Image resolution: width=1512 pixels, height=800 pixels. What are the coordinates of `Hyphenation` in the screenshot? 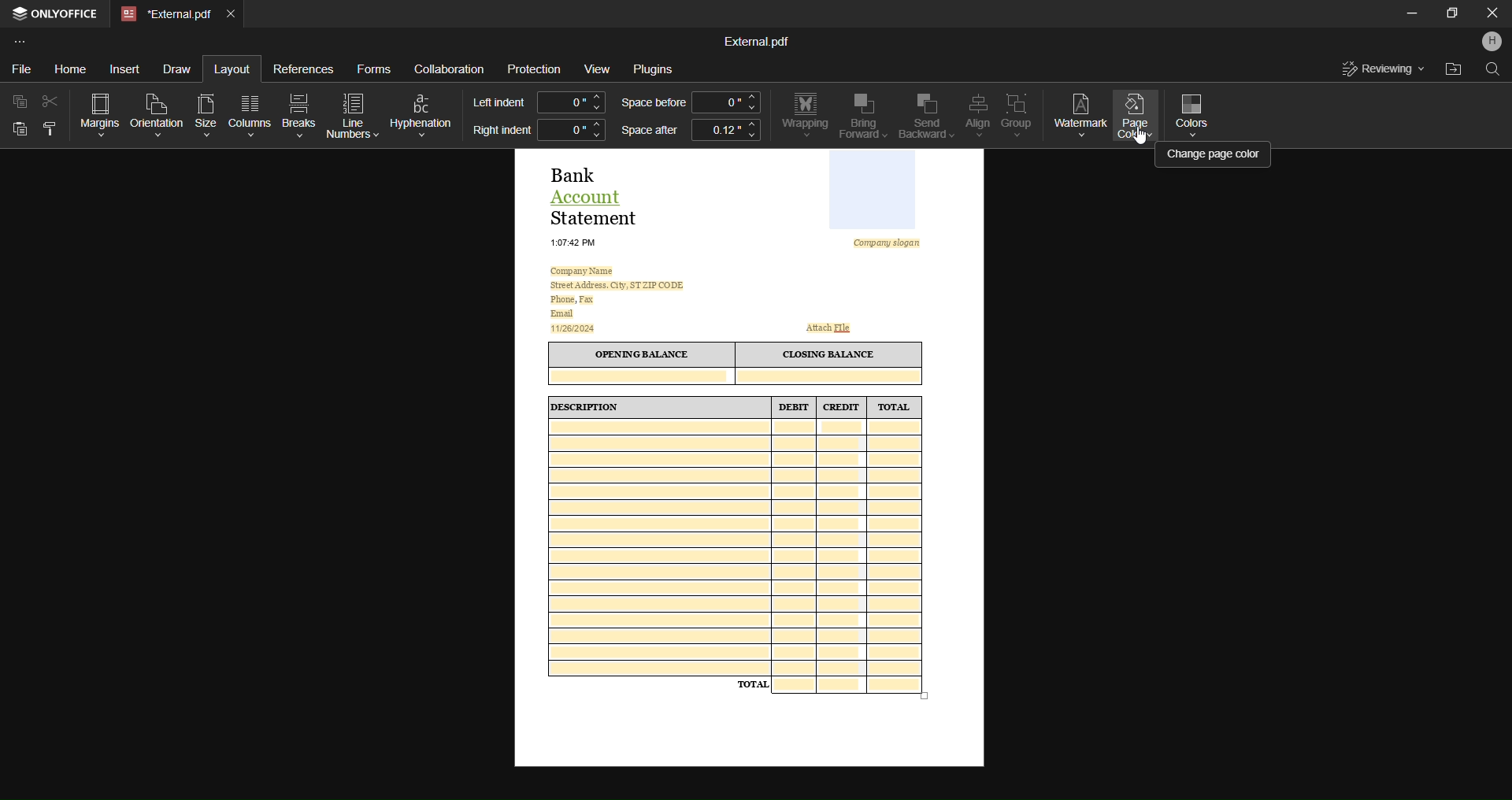 It's located at (423, 112).